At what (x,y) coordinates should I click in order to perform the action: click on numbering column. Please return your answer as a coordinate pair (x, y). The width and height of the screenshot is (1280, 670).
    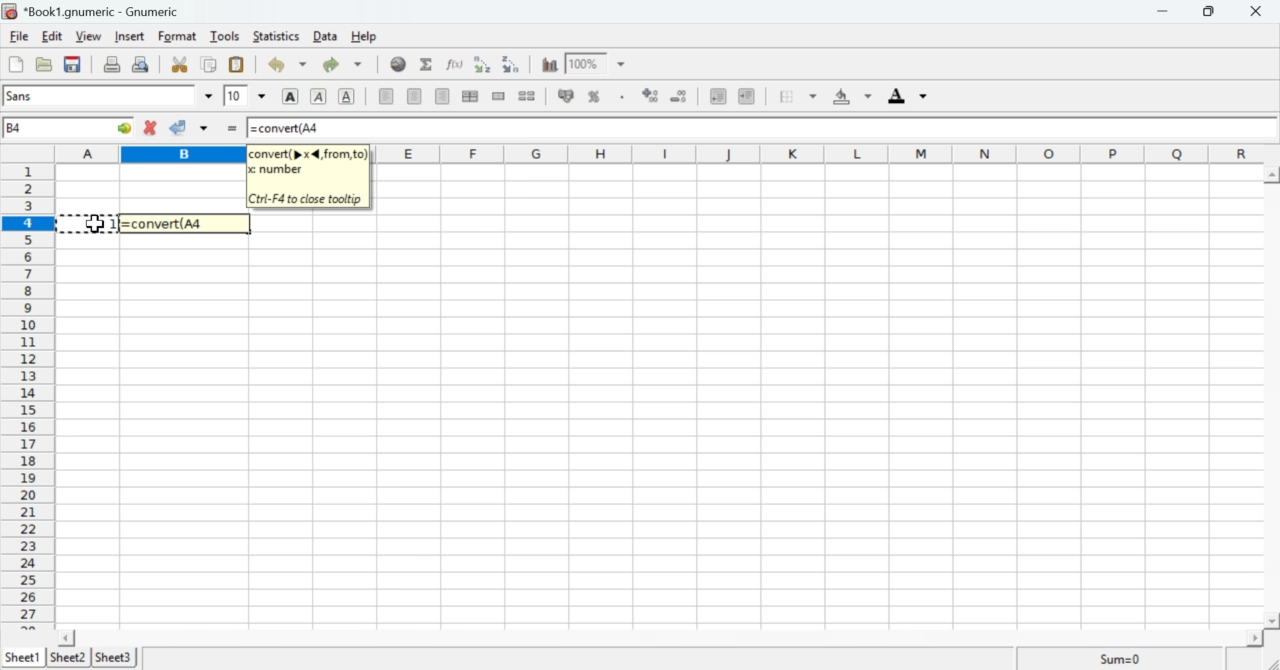
    Looking at the image, I should click on (26, 396).